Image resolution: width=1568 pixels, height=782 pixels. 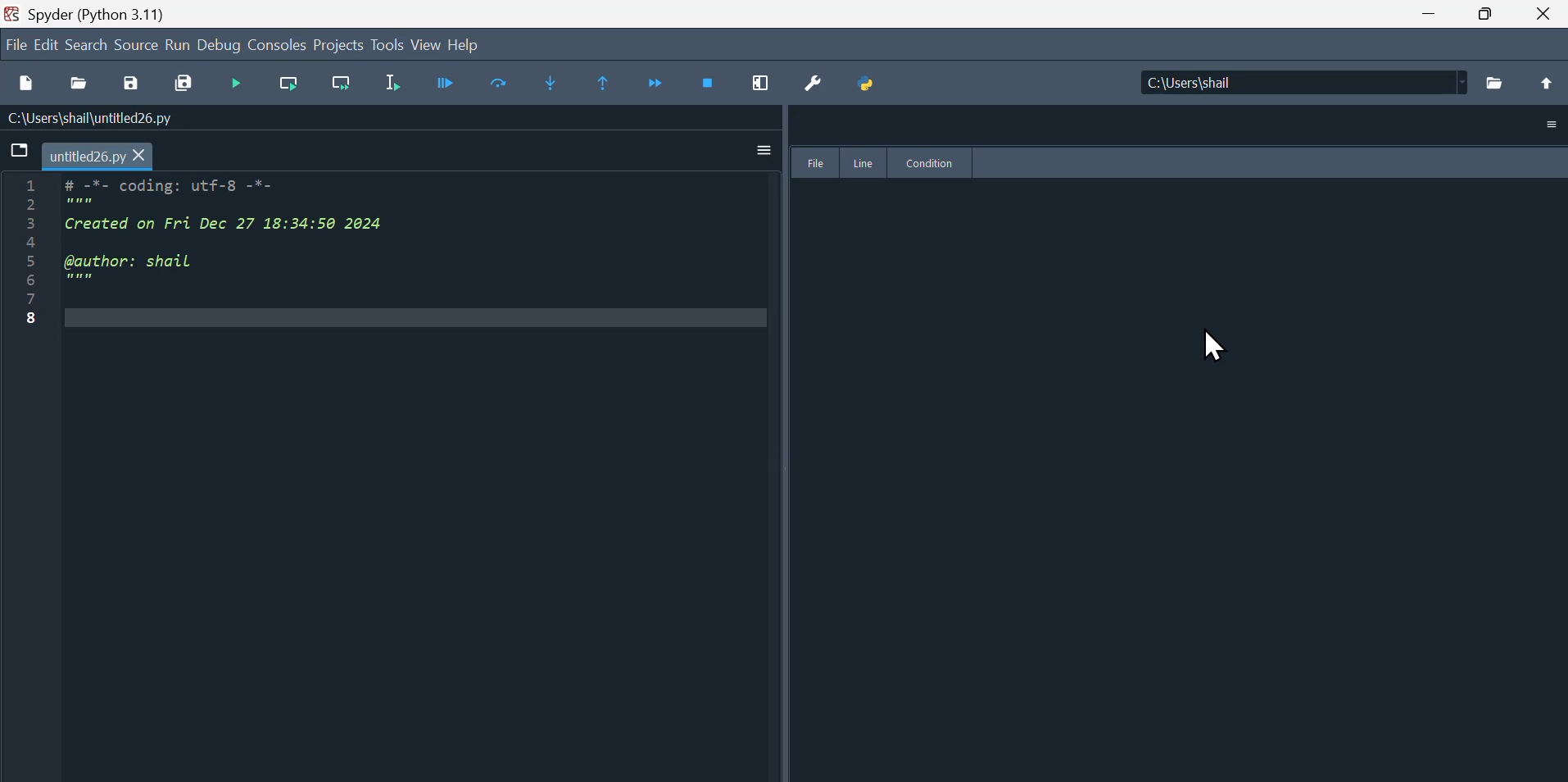 What do you see at coordinates (931, 162) in the screenshot?
I see `Condition` at bounding box center [931, 162].